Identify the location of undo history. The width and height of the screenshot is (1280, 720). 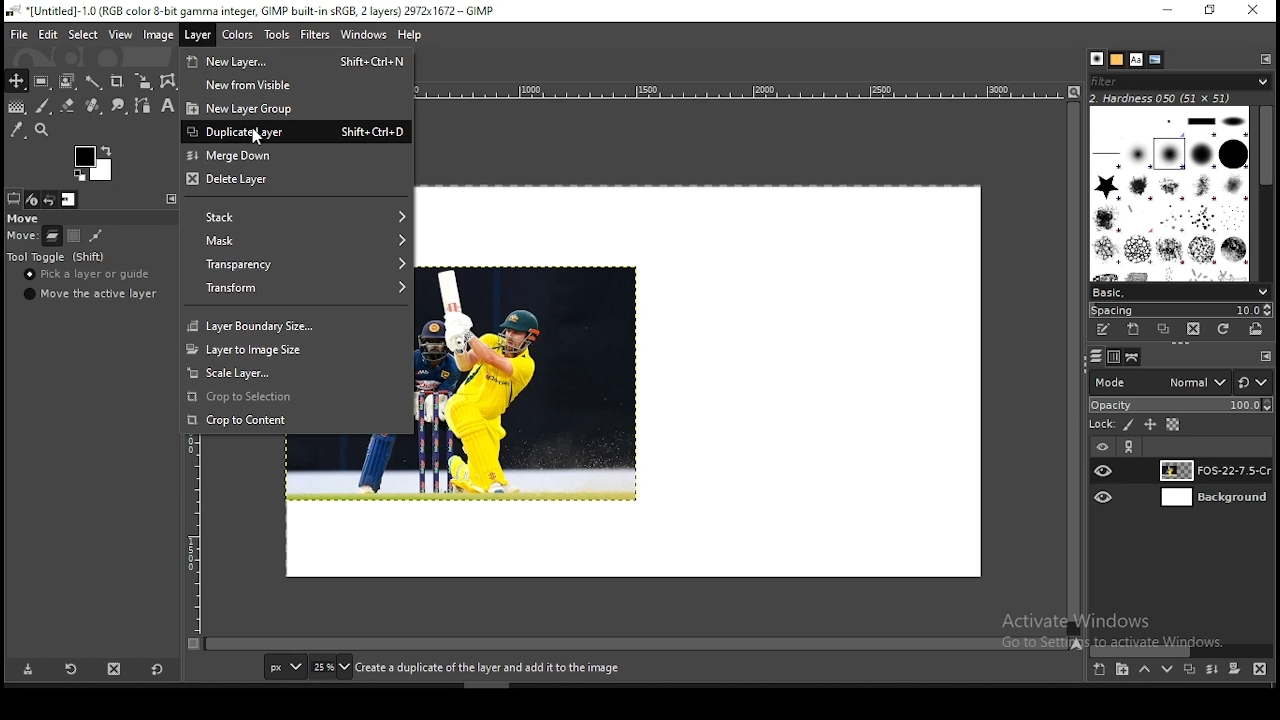
(49, 200).